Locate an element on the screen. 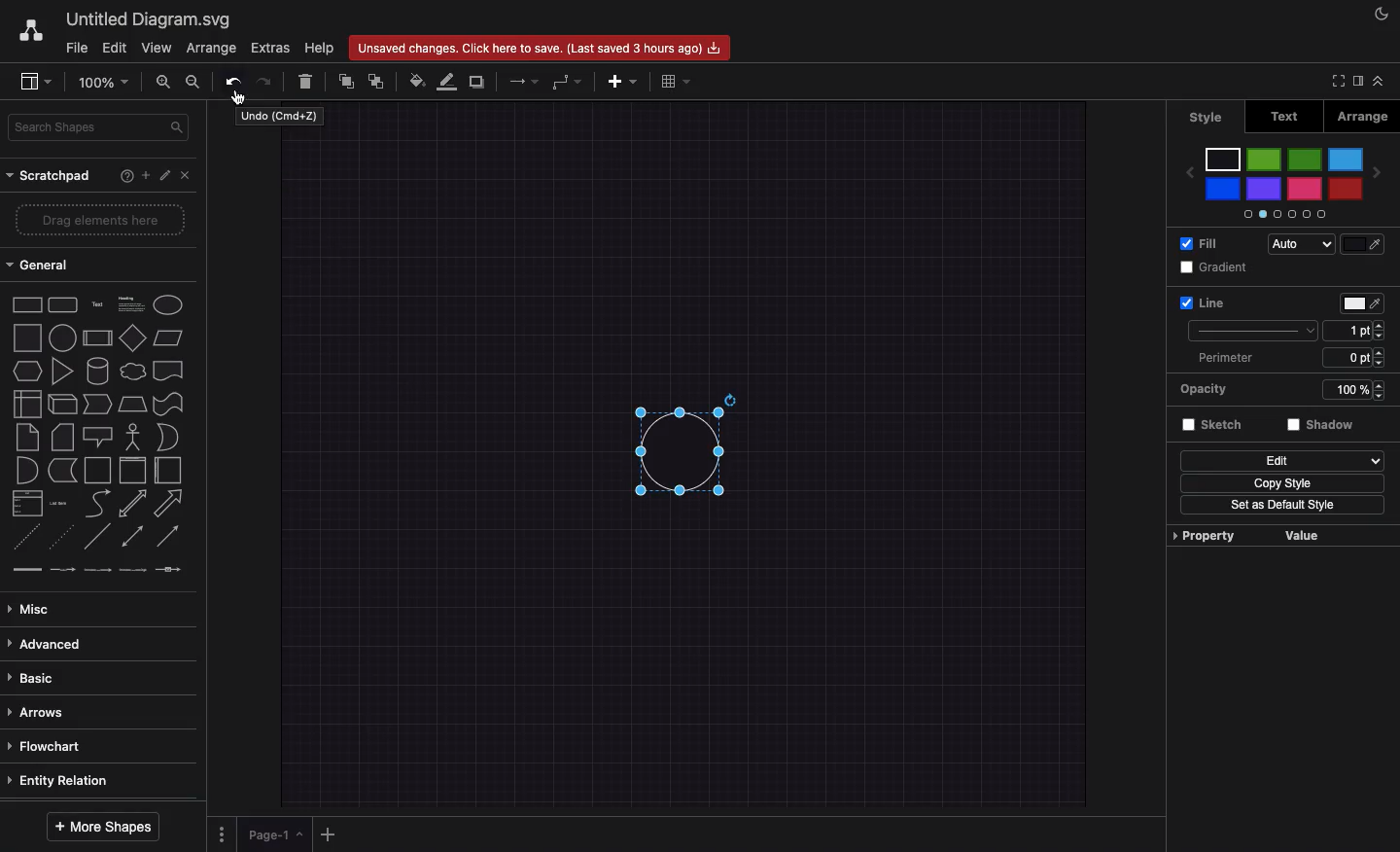 This screenshot has width=1400, height=852. Set as default style is located at coordinates (1286, 506).